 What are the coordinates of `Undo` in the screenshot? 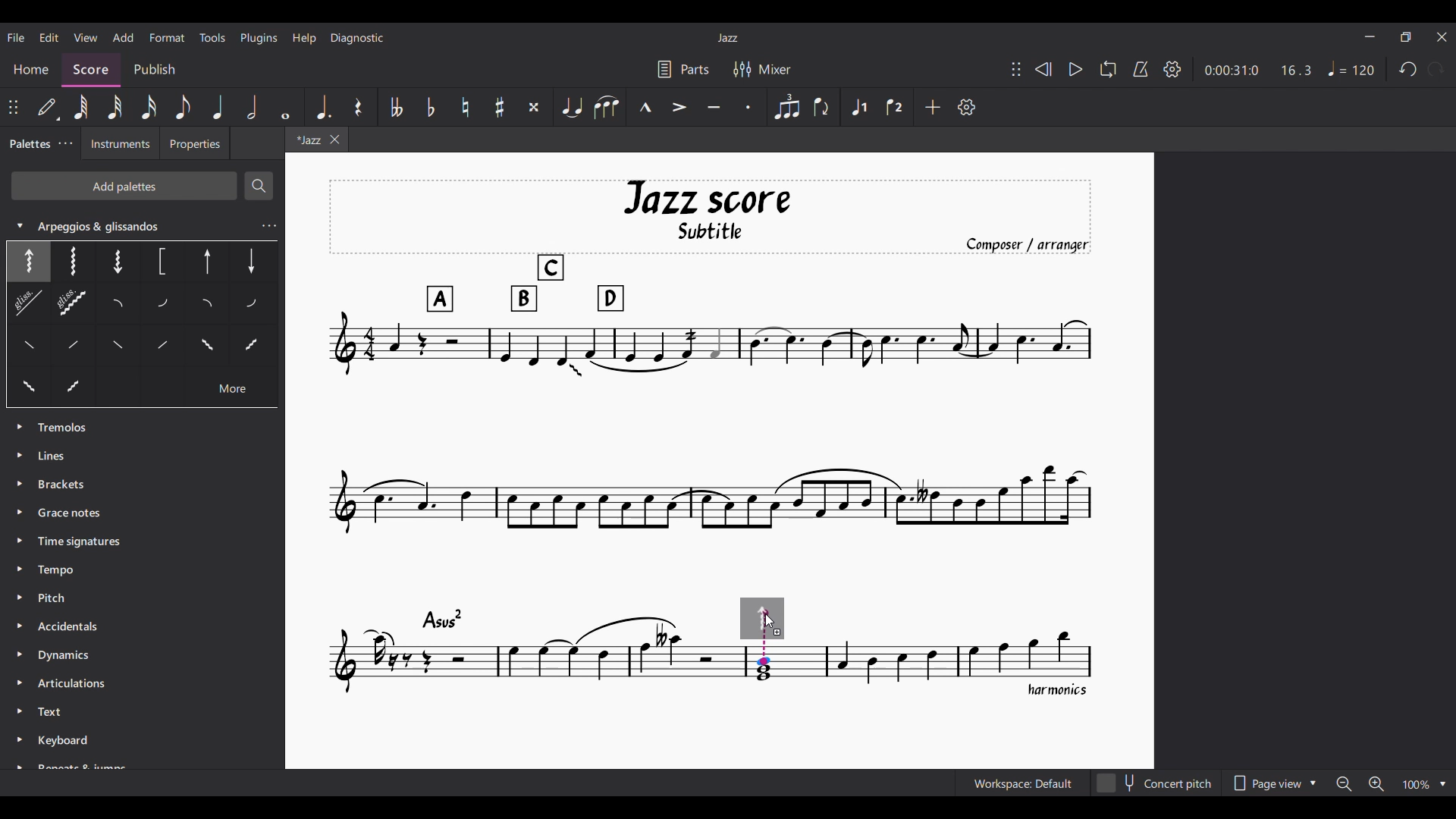 It's located at (1408, 69).